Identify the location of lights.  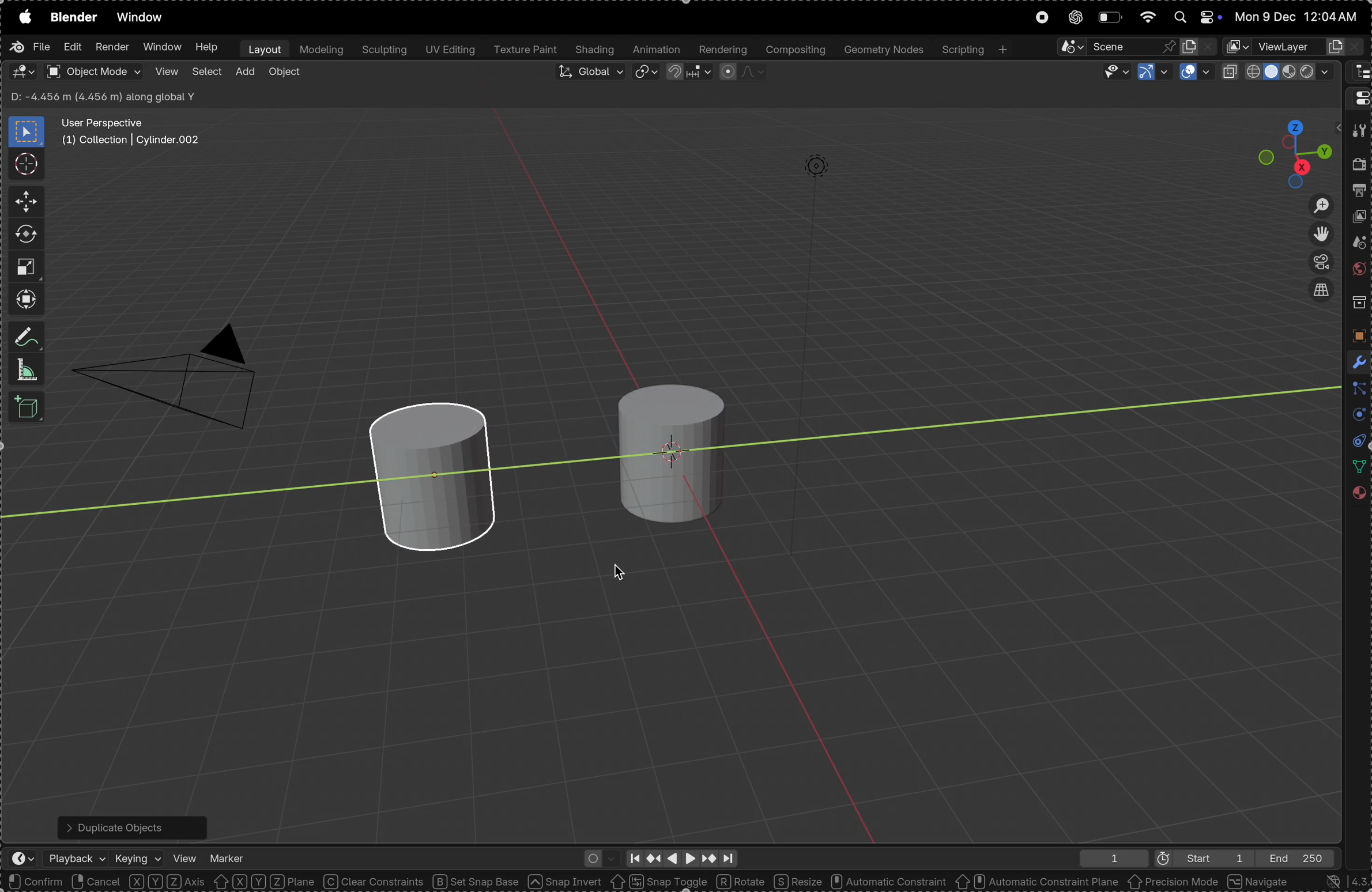
(830, 174).